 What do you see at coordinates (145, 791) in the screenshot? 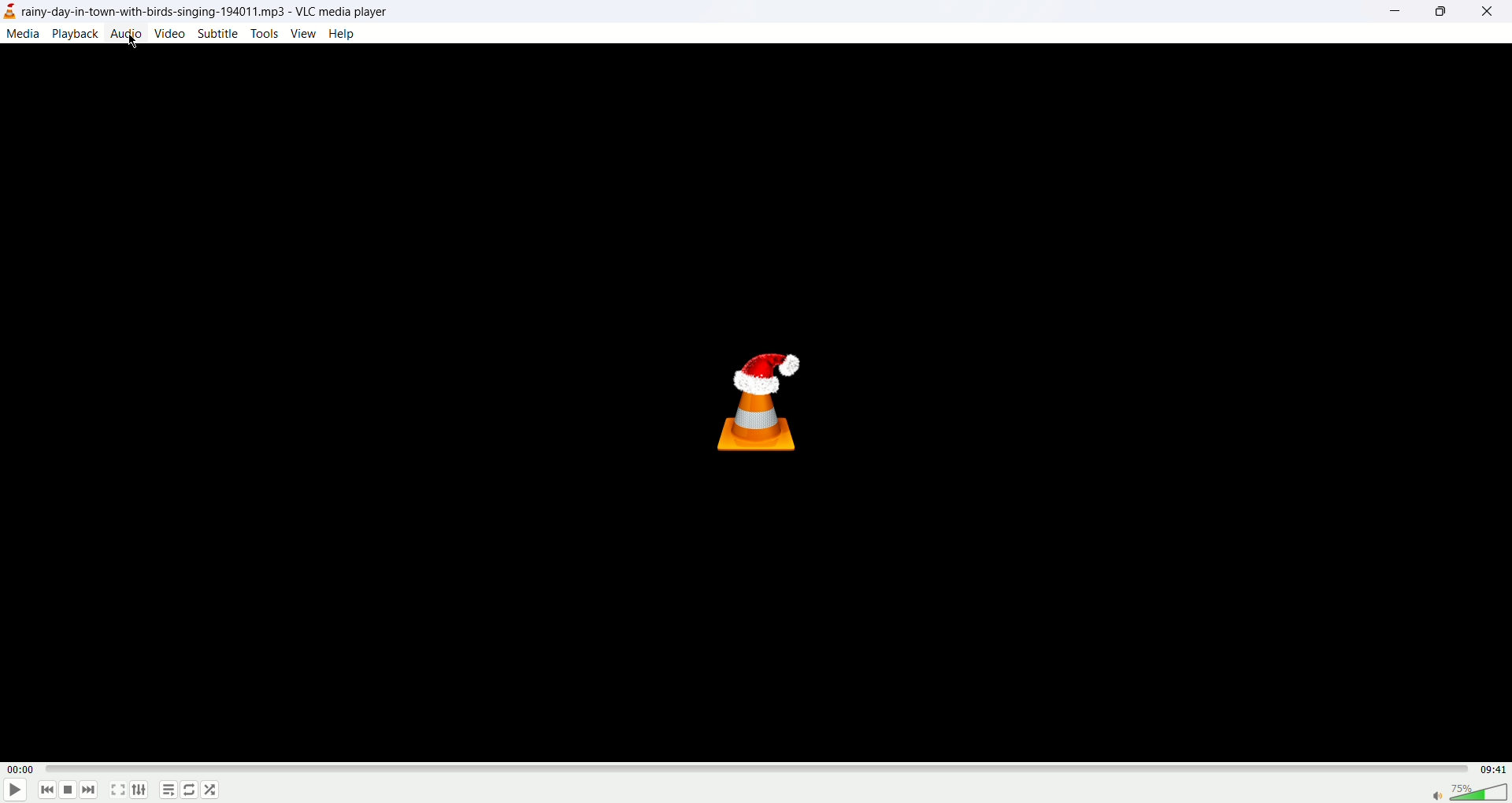
I see `extended settings` at bounding box center [145, 791].